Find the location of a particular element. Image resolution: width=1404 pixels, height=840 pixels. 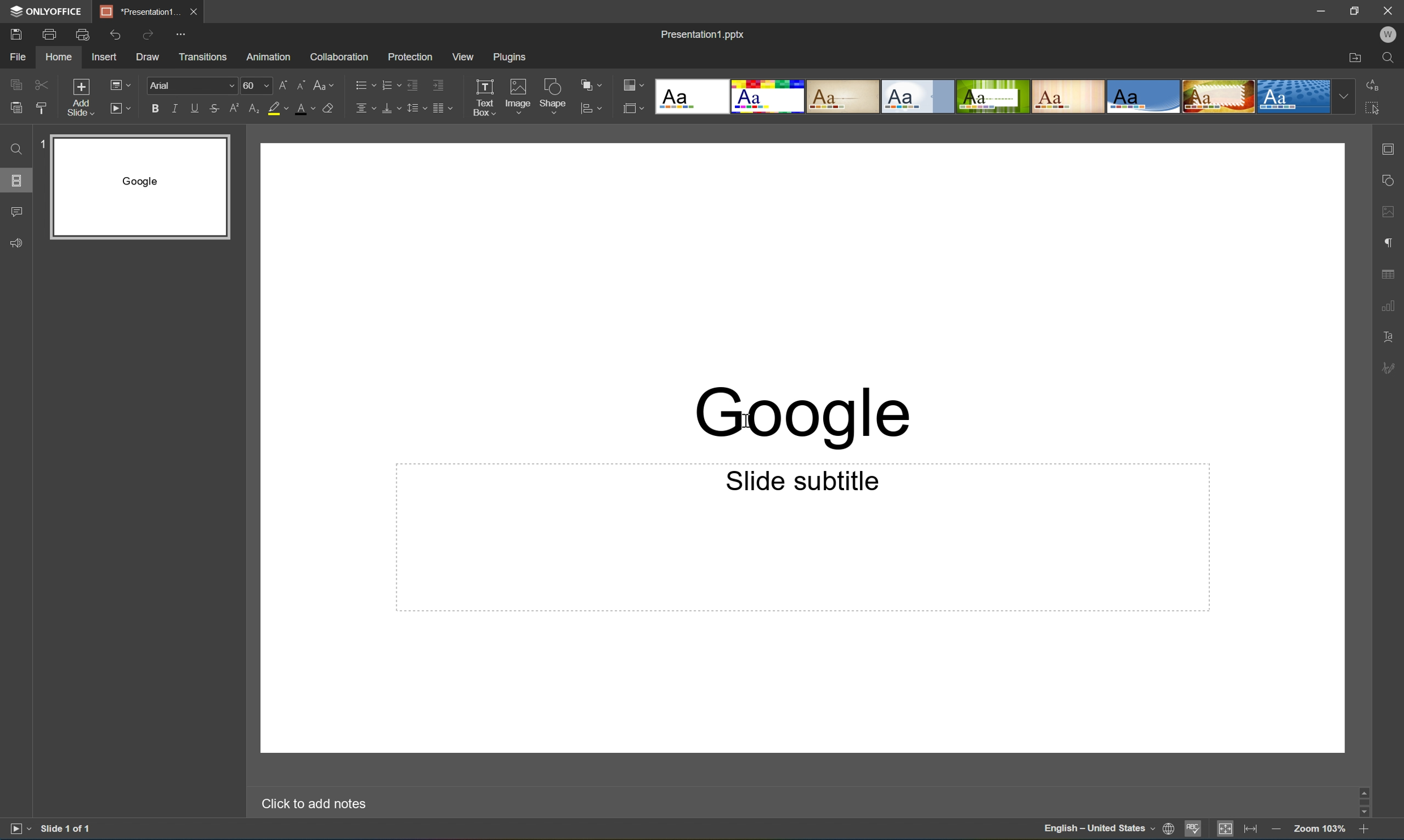

Numbering is located at coordinates (392, 82).